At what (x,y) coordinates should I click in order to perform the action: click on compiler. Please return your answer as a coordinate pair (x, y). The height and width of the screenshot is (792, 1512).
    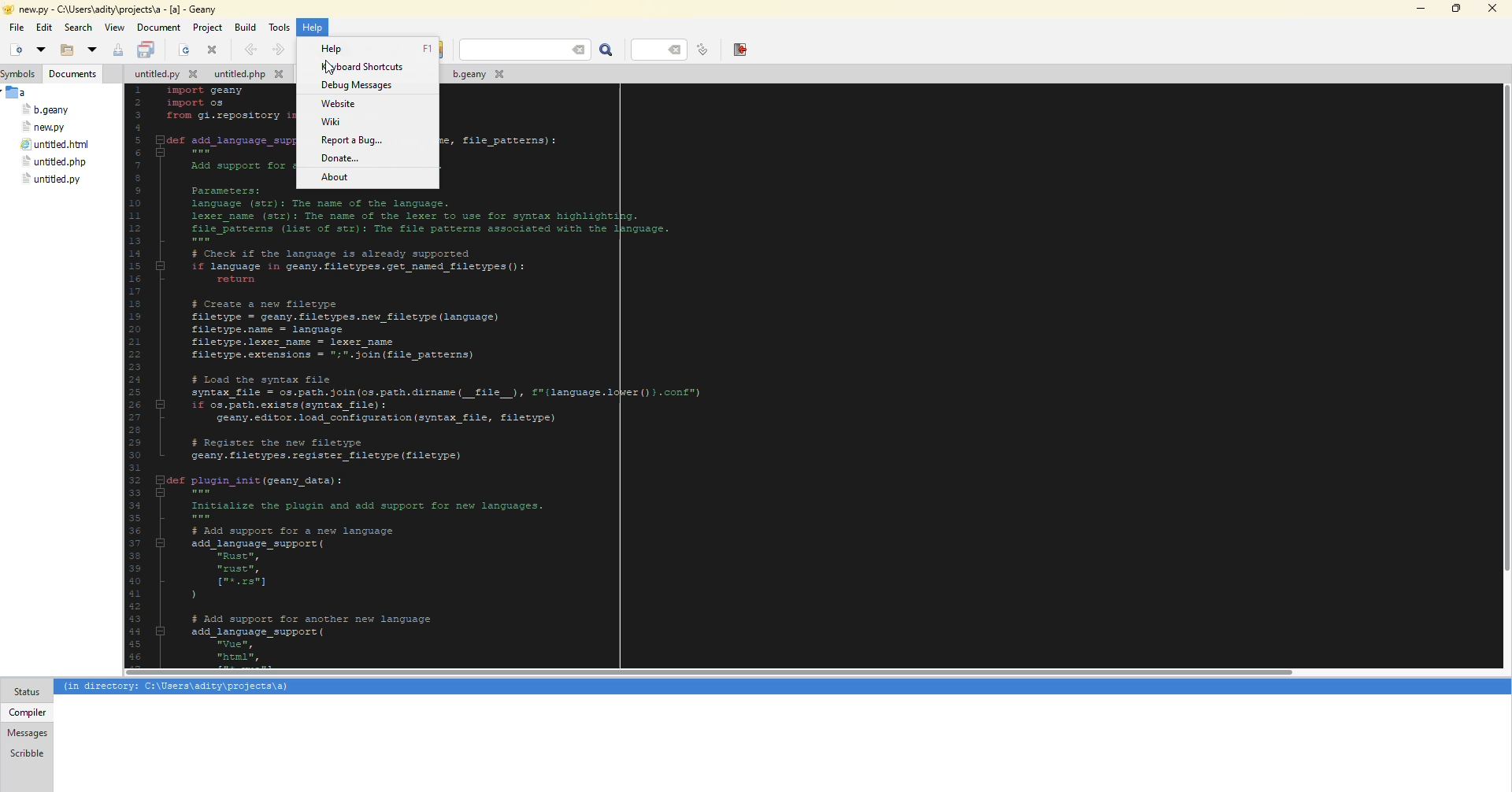
    Looking at the image, I should click on (26, 712).